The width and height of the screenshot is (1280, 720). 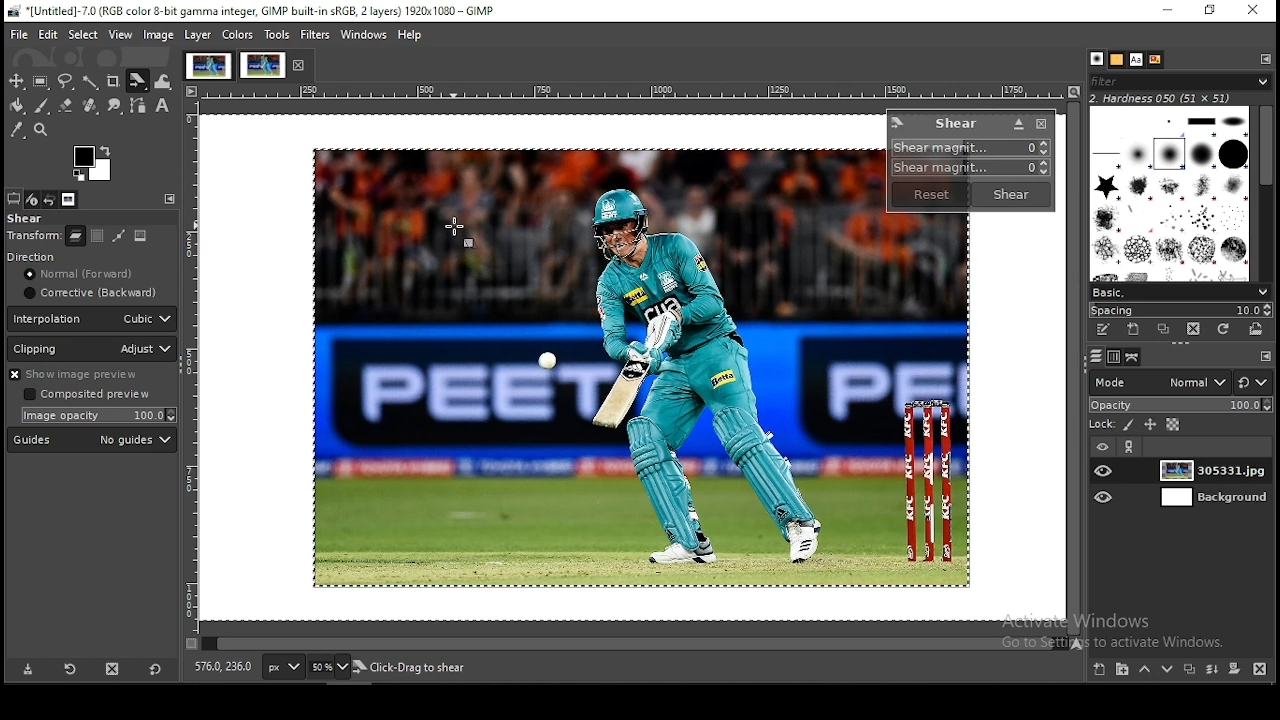 I want to click on logo, so click(x=898, y=122).